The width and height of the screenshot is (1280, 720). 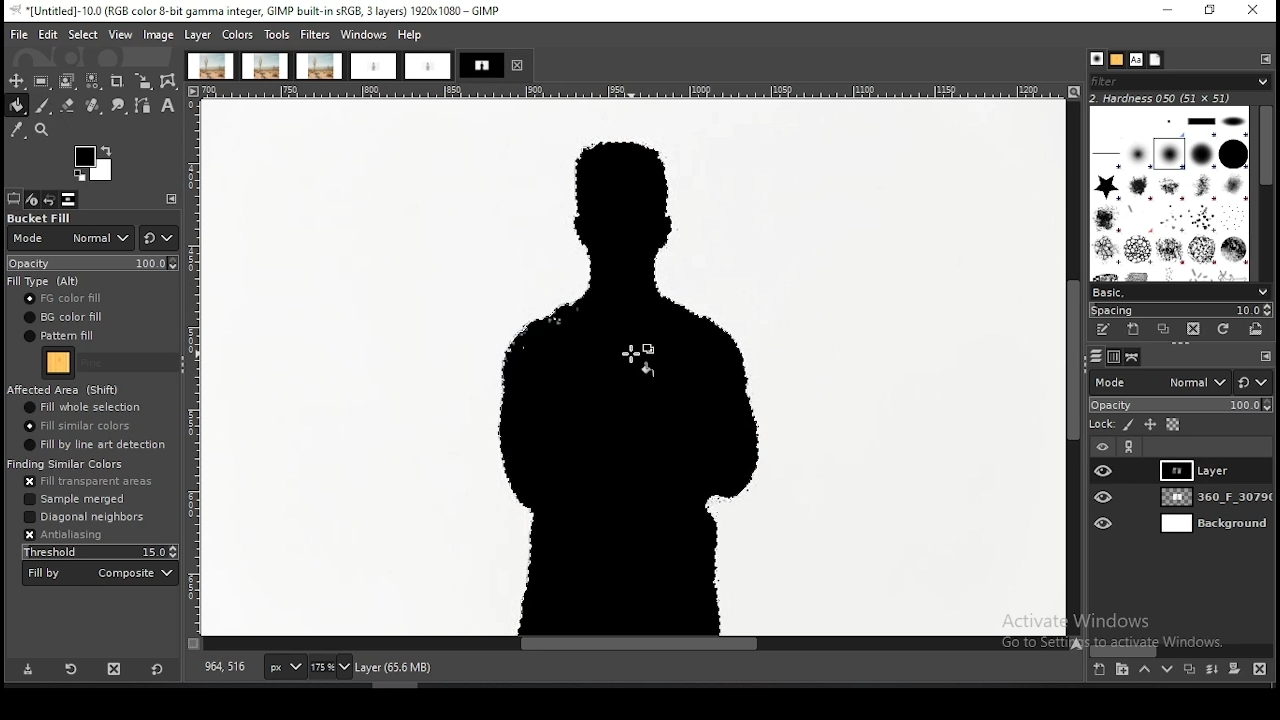 I want to click on document history, so click(x=1156, y=59).